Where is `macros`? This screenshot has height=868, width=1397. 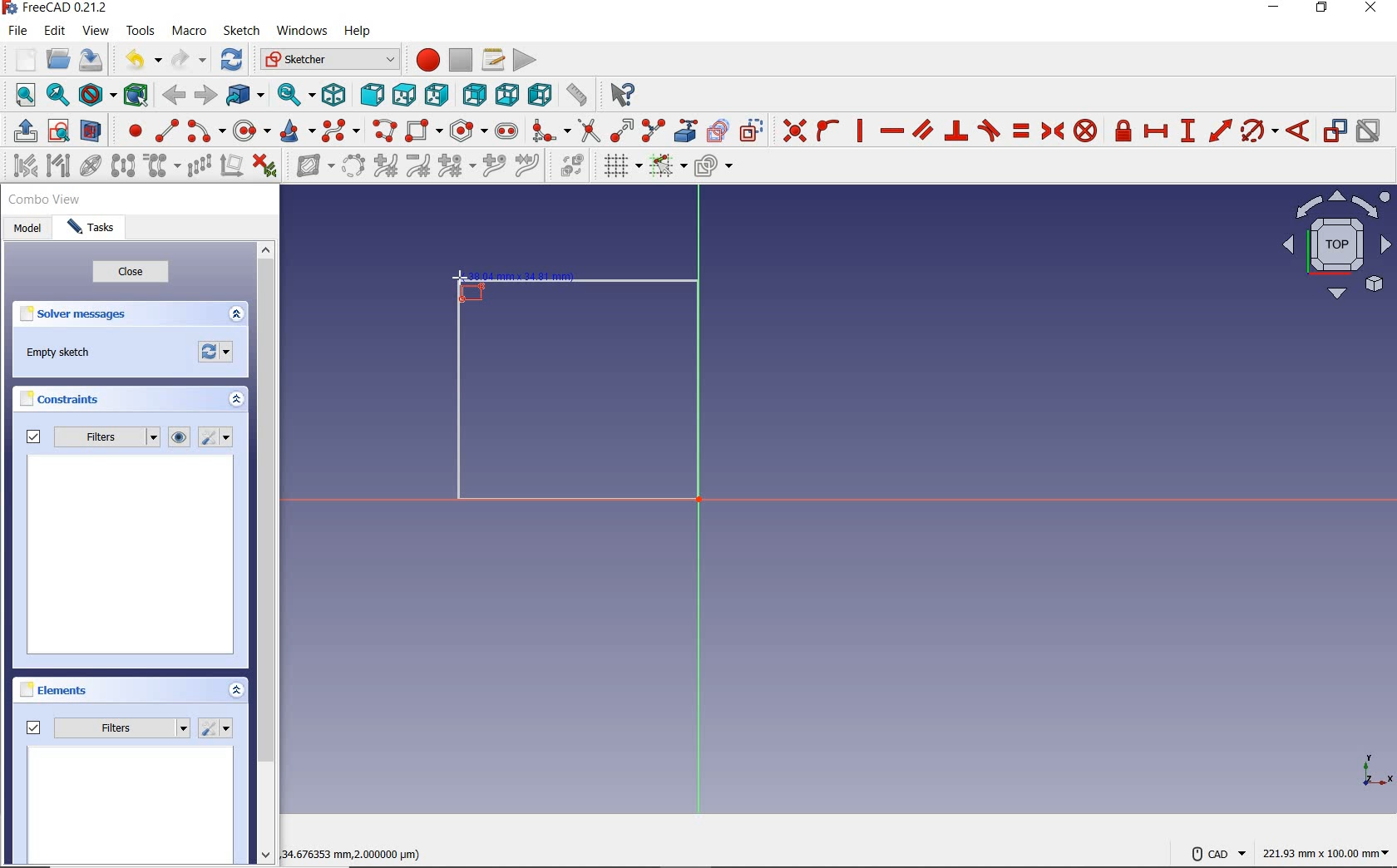 macros is located at coordinates (493, 60).